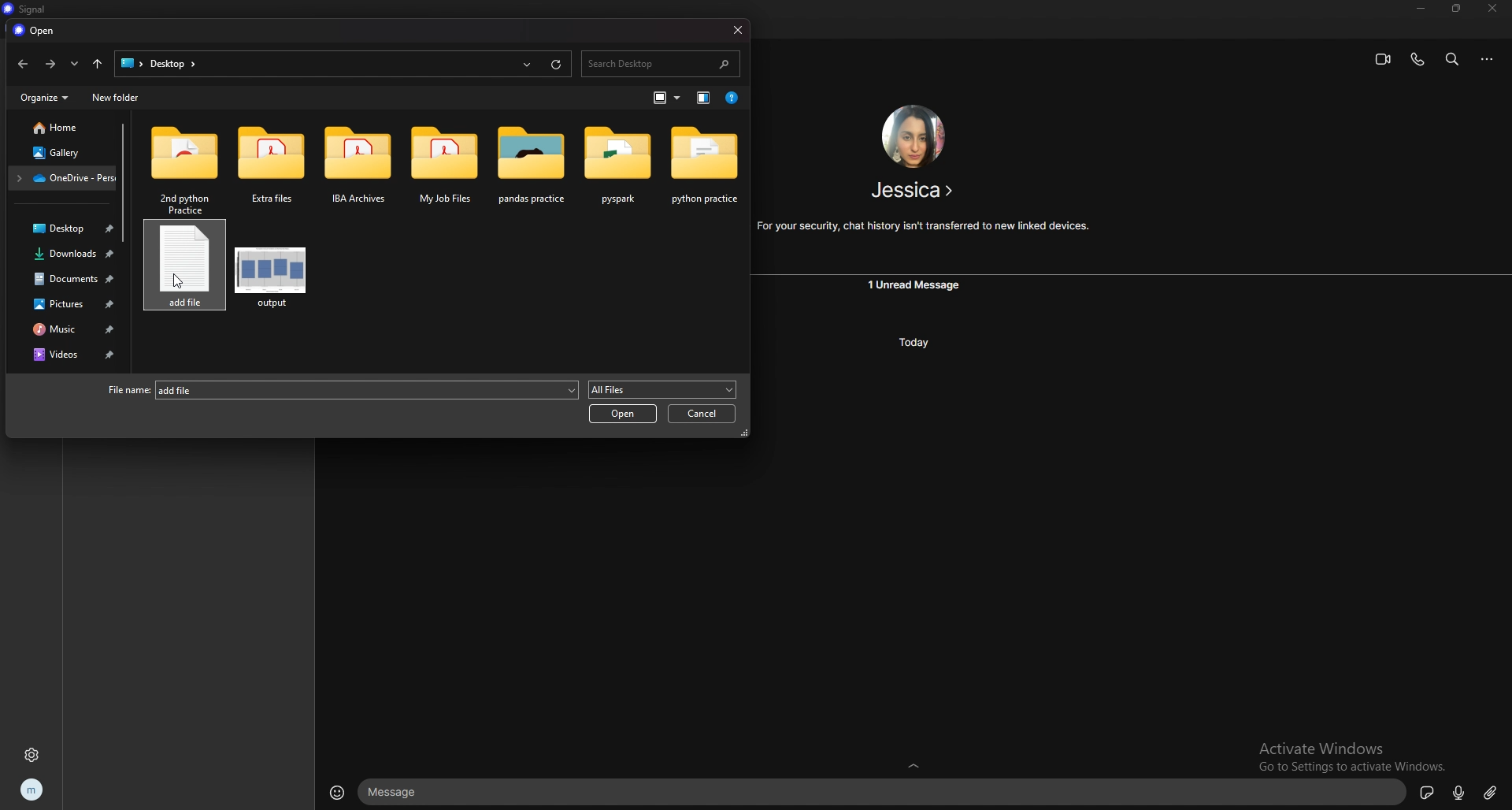 Image resolution: width=1512 pixels, height=810 pixels. Describe the element at coordinates (661, 389) in the screenshot. I see `all files` at that location.